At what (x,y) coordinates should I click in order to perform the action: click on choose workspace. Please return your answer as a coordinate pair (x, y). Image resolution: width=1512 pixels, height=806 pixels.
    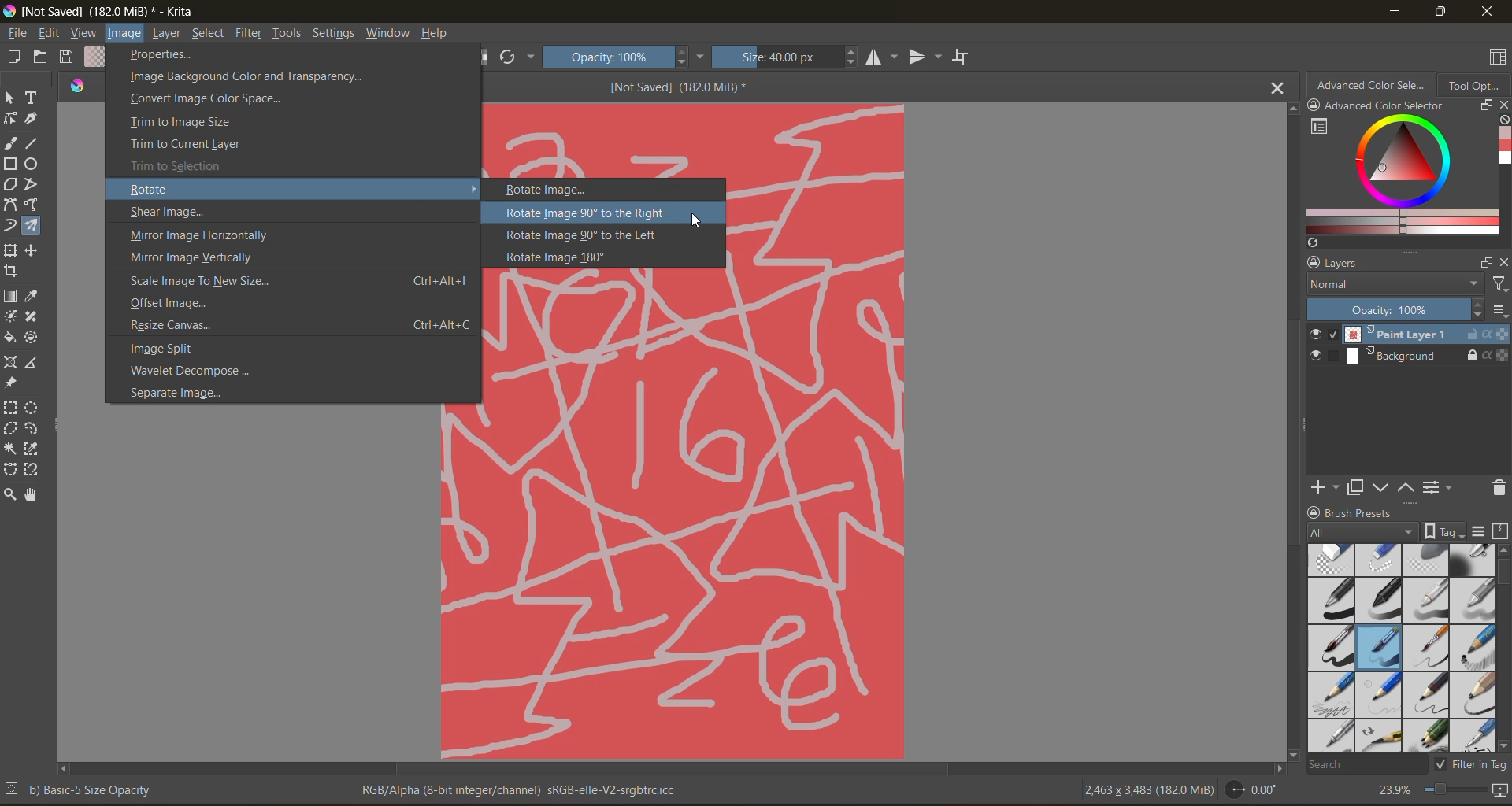
    Looking at the image, I should click on (1499, 57).